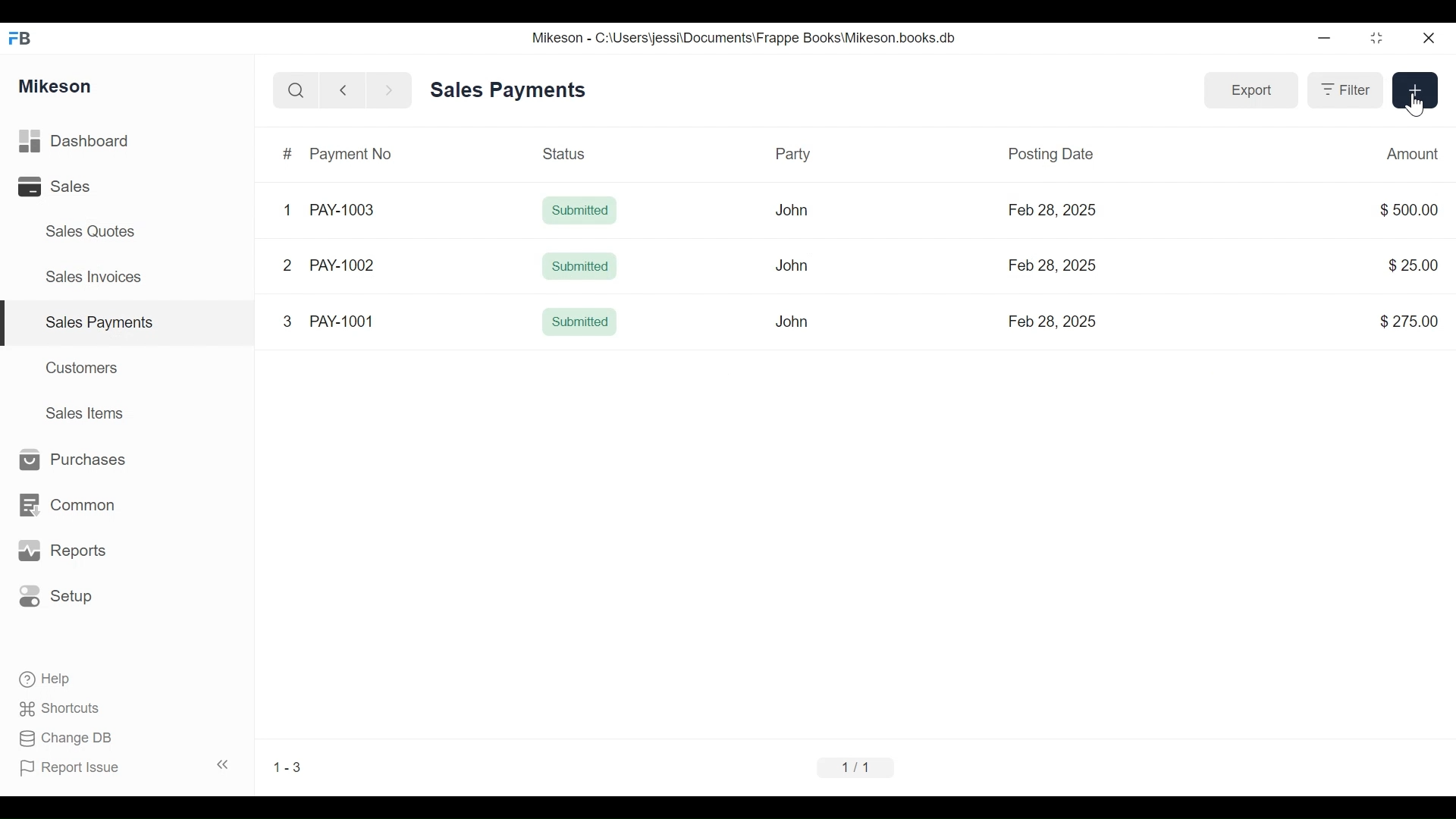 This screenshot has width=1456, height=819. Describe the element at coordinates (745, 38) in the screenshot. I see `Mikeson - C:\Users\jessi\Documents\Frappe Books\Mikeson.books.db` at that location.